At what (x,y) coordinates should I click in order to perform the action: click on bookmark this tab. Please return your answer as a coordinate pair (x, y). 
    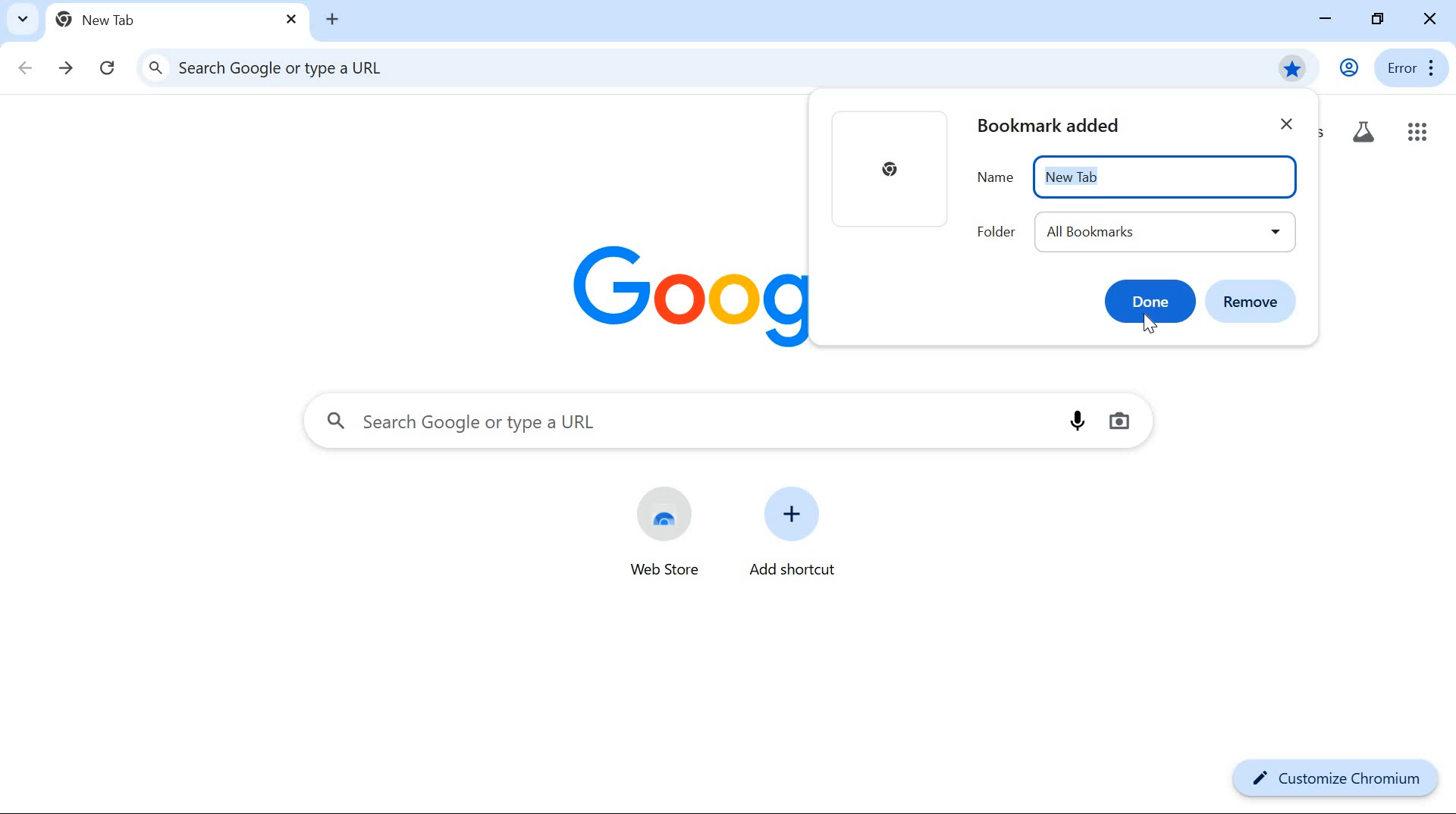
    Looking at the image, I should click on (1292, 67).